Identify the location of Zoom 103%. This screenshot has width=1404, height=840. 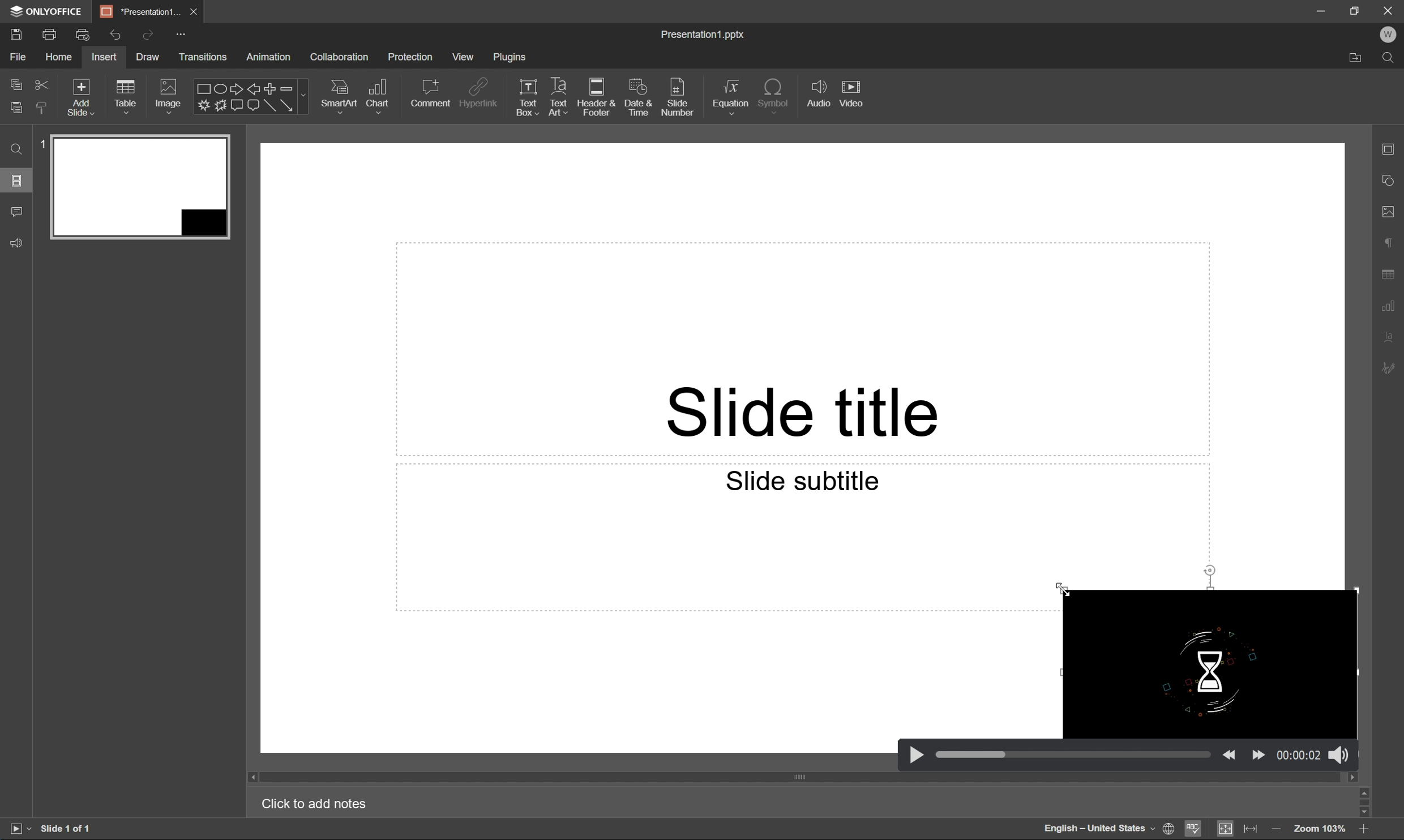
(1321, 830).